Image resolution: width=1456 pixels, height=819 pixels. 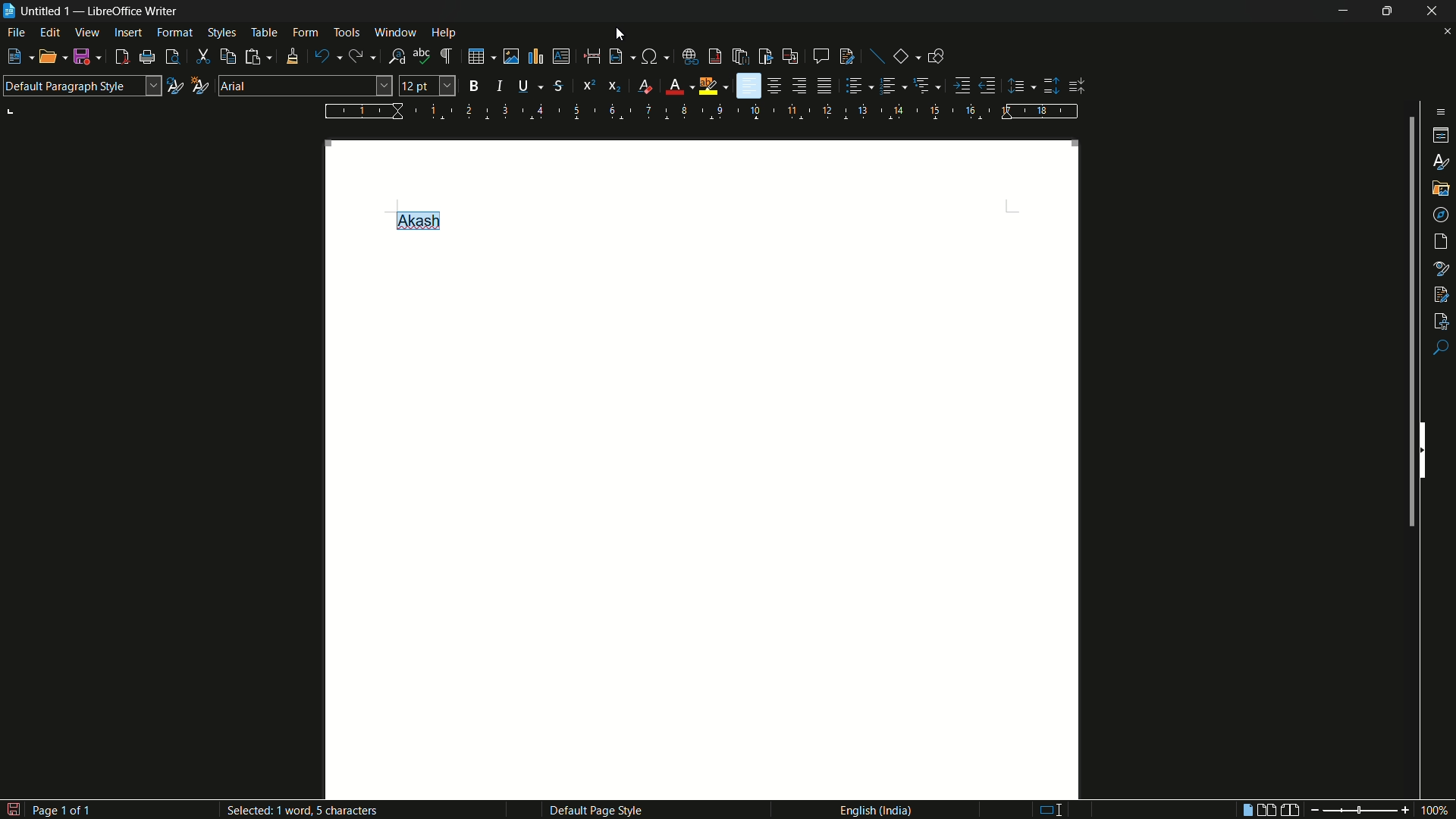 What do you see at coordinates (381, 83) in the screenshot?
I see `cursor` at bounding box center [381, 83].